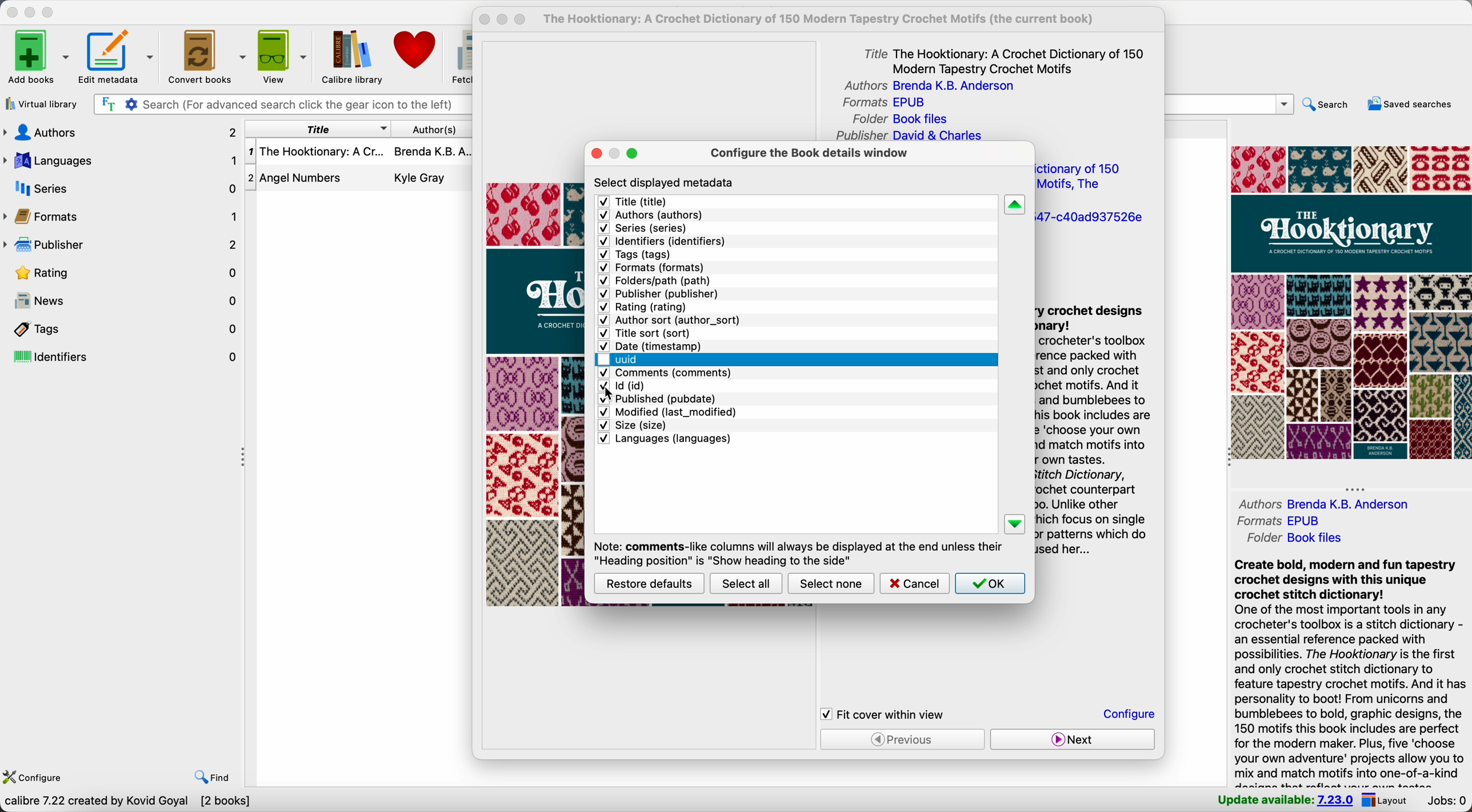 This screenshot has width=1472, height=812. Describe the element at coordinates (1285, 798) in the screenshot. I see `update available` at that location.